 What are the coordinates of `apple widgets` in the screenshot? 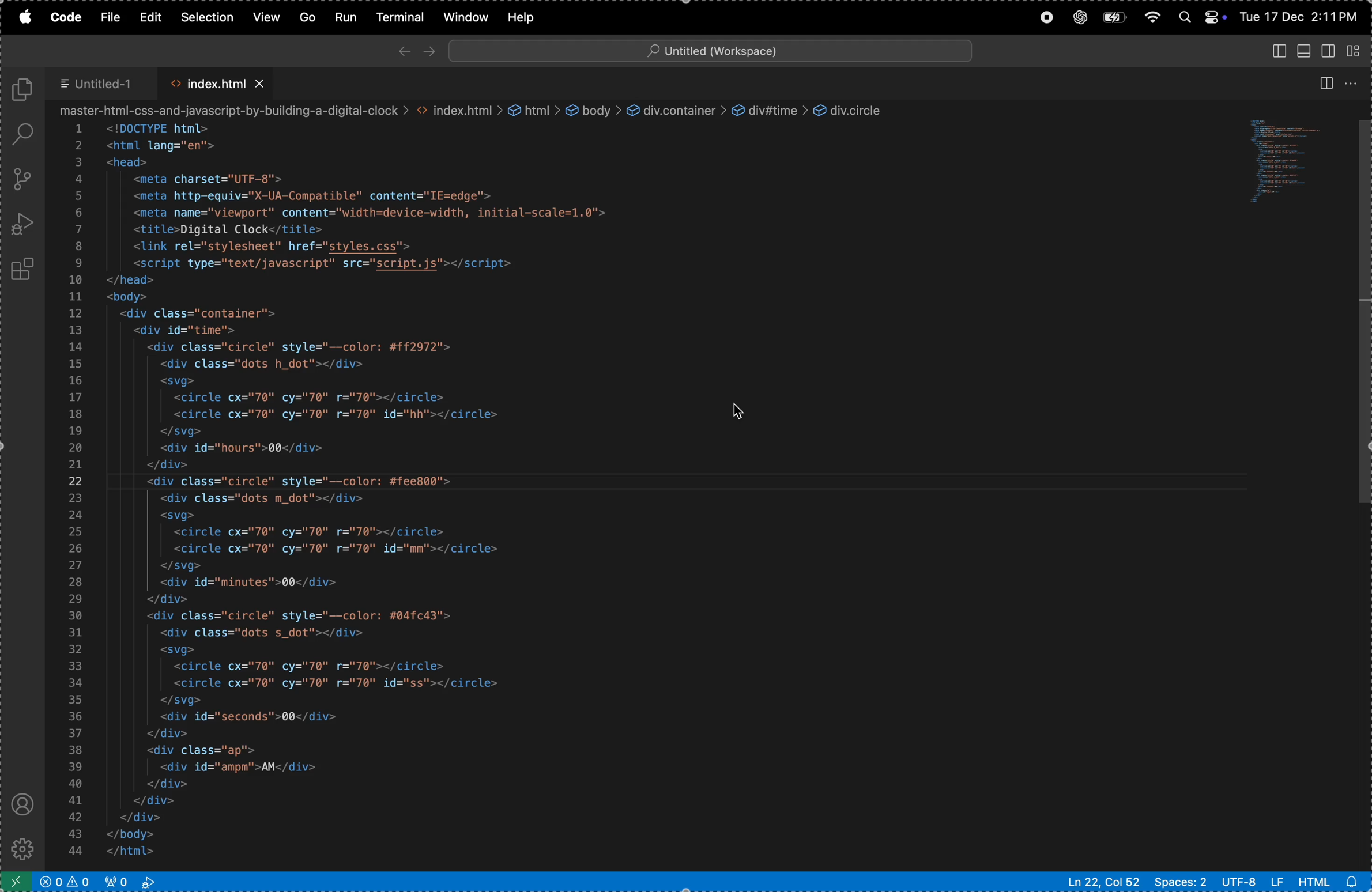 It's located at (1197, 14).